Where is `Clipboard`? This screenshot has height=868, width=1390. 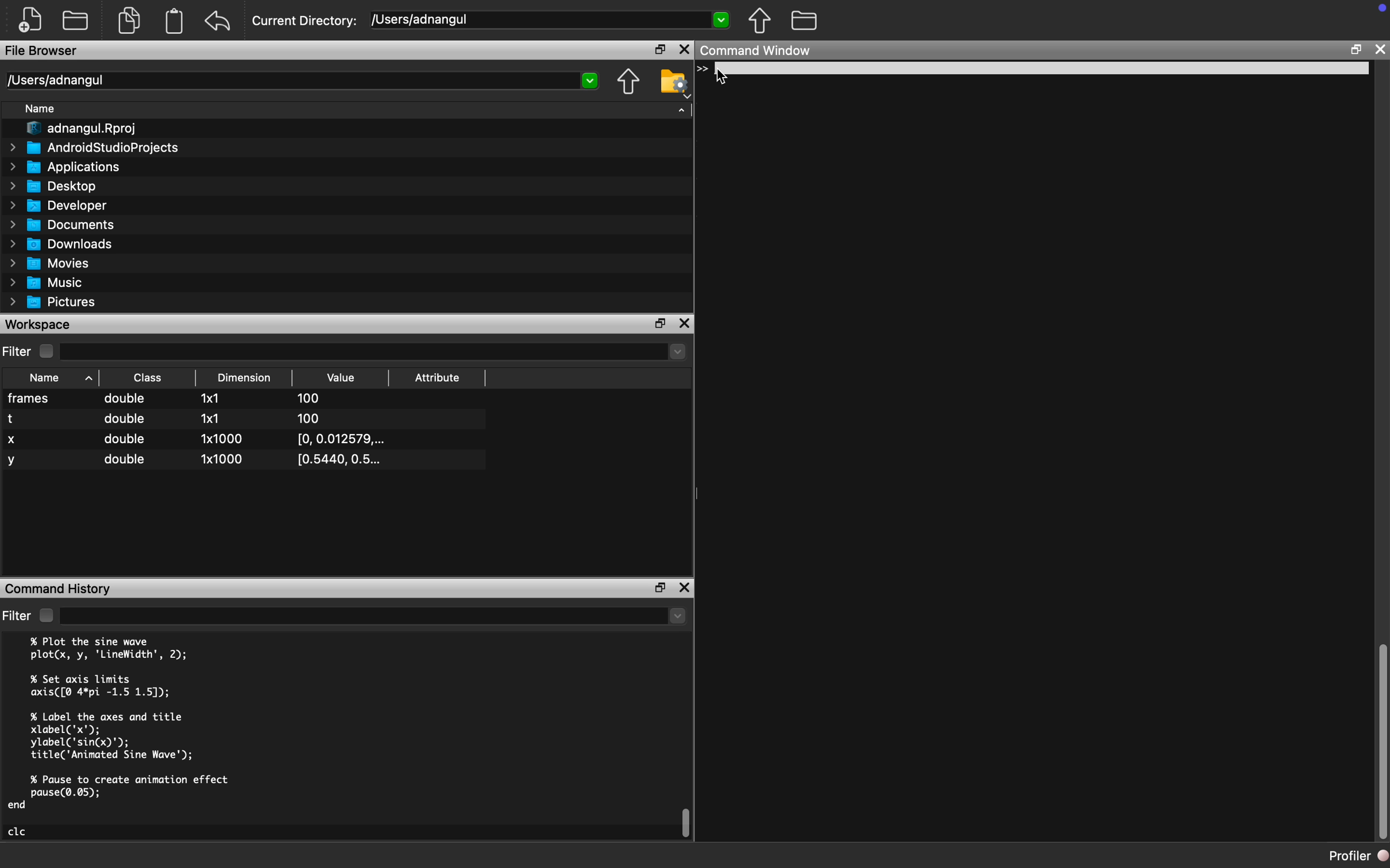 Clipboard is located at coordinates (175, 21).